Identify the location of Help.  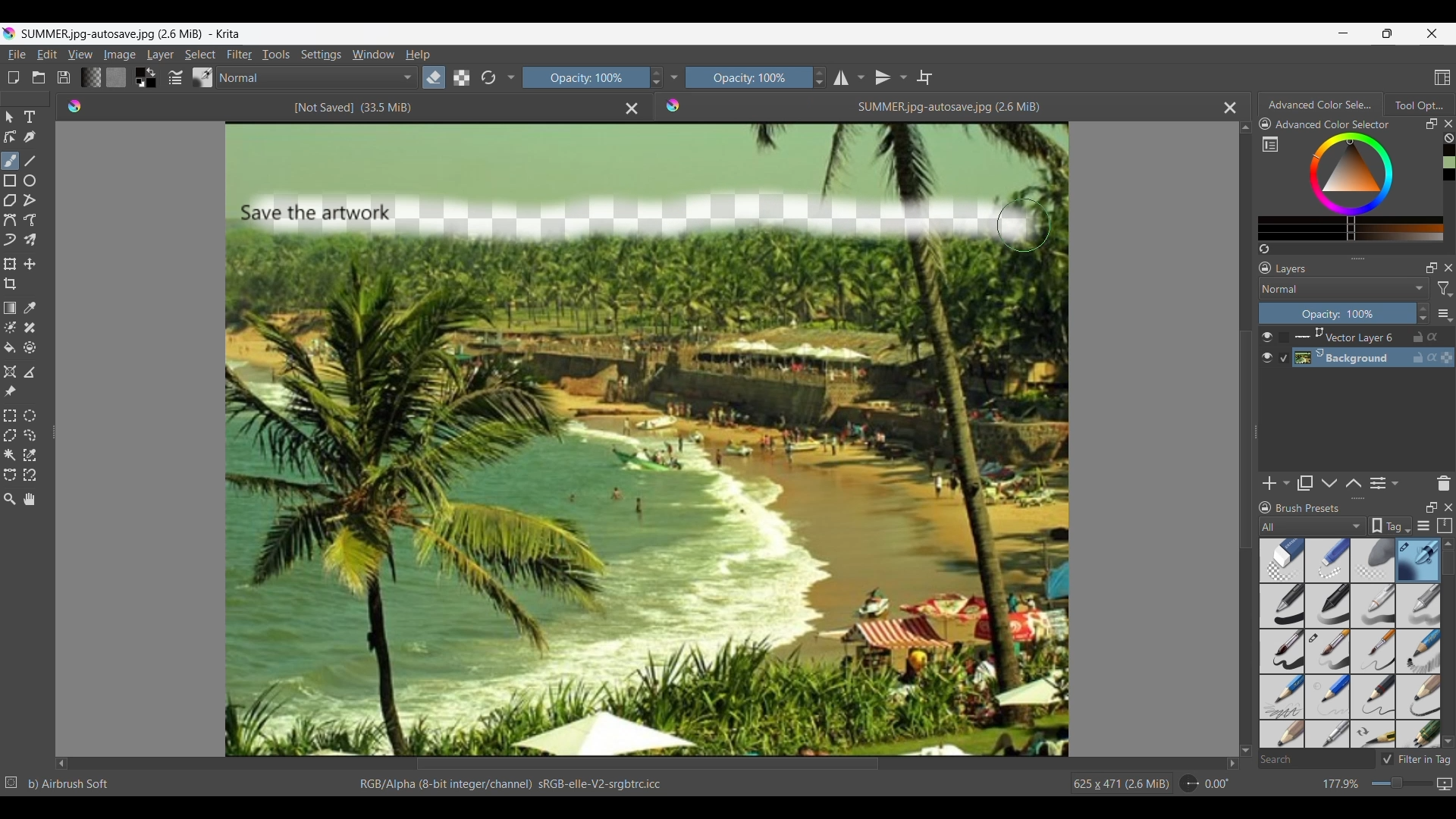
(419, 55).